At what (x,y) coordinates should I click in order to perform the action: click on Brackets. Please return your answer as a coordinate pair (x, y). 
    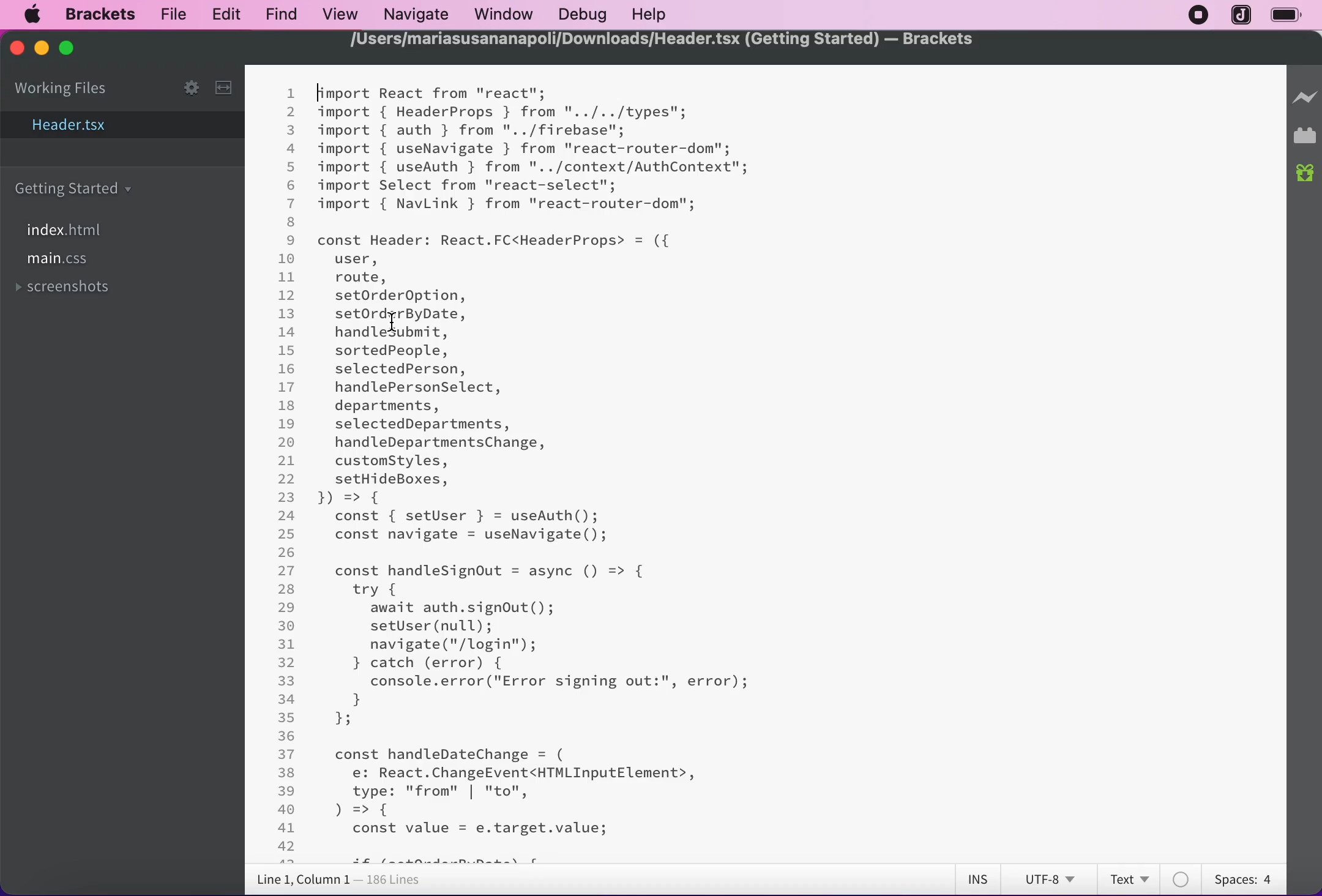
    Looking at the image, I should click on (100, 15).